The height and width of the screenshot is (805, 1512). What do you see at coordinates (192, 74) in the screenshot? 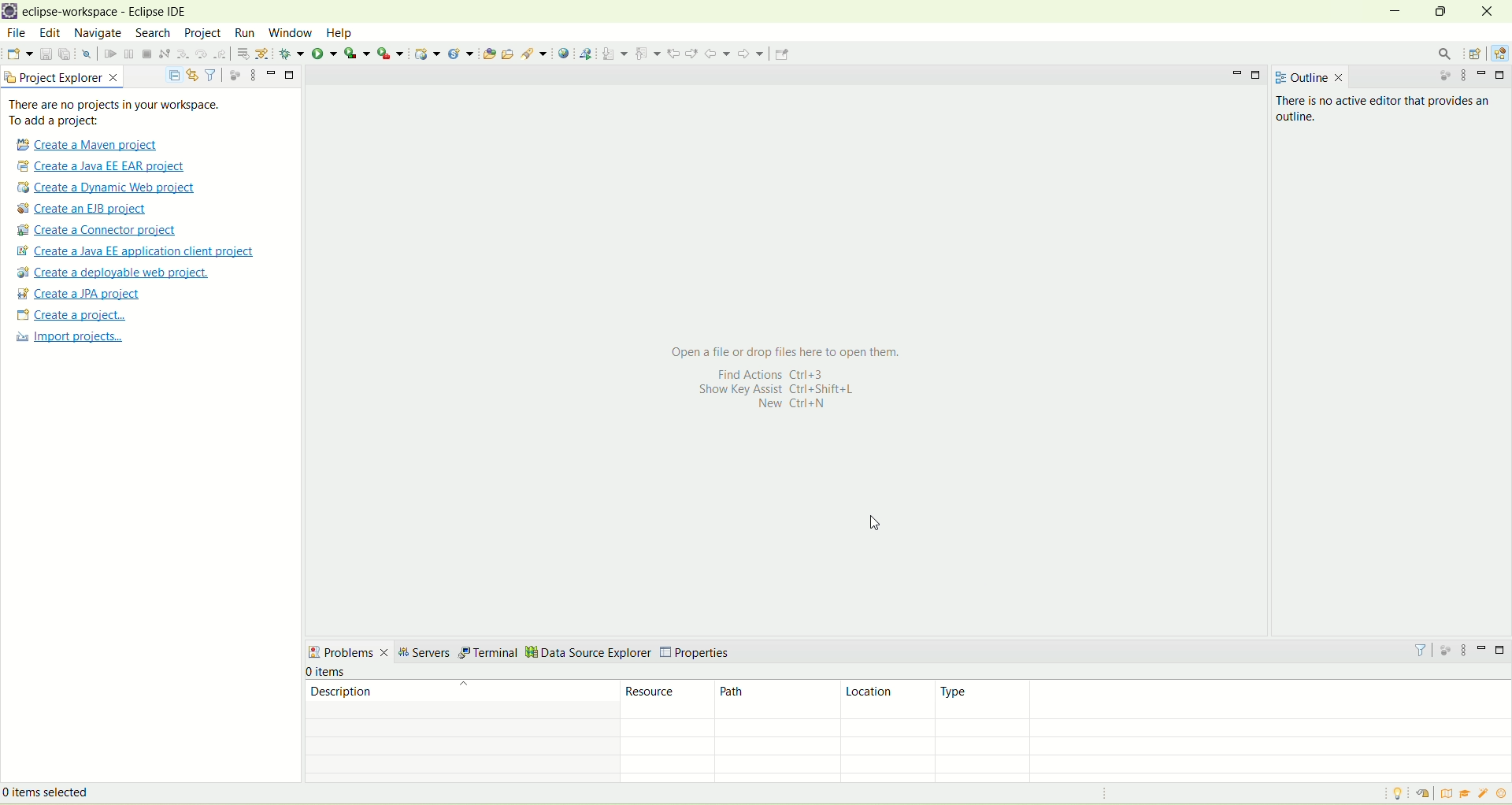
I see `link with editor` at bounding box center [192, 74].